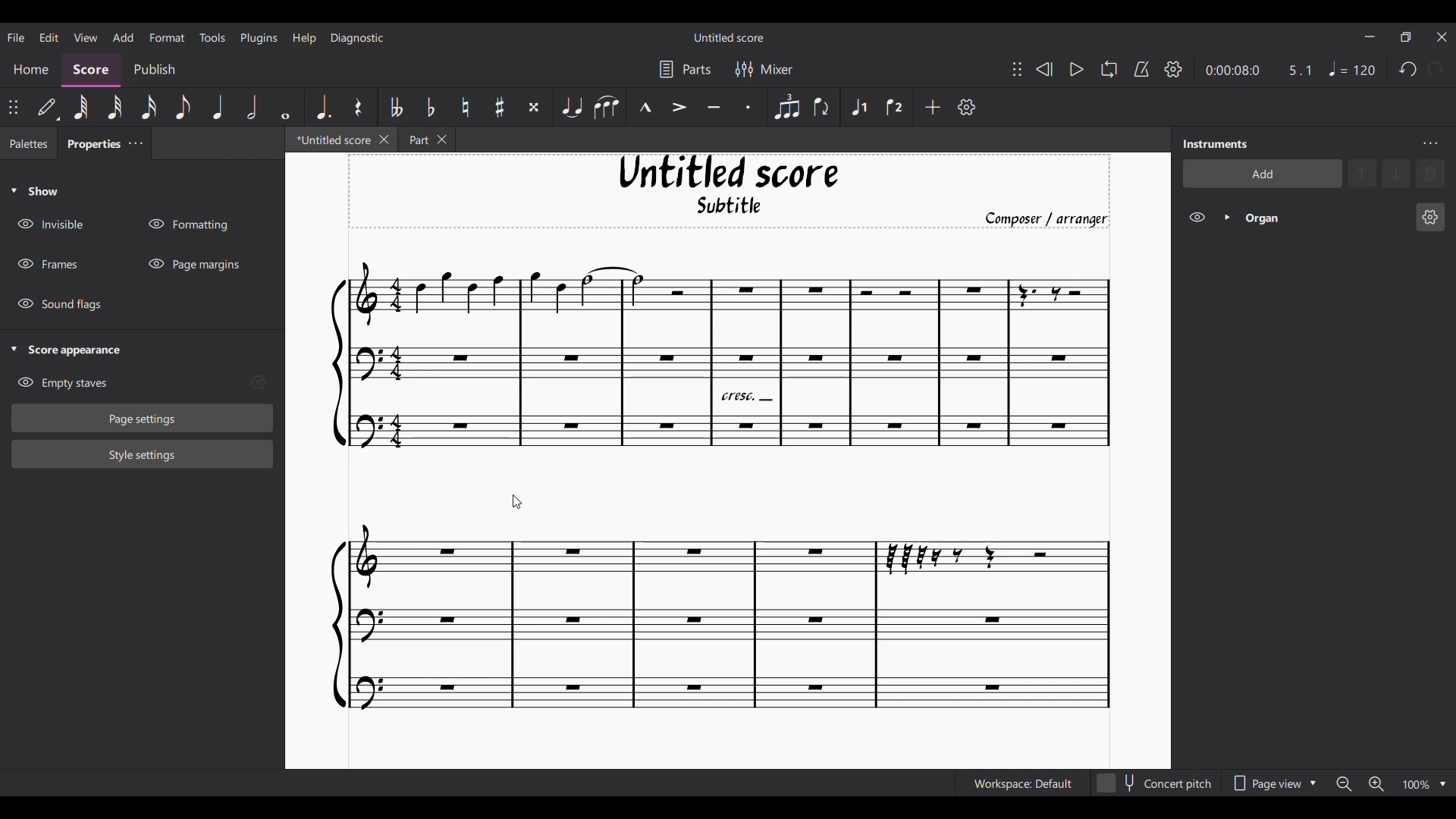 The height and width of the screenshot is (819, 1456). What do you see at coordinates (116, 108) in the screenshot?
I see `32nd note` at bounding box center [116, 108].